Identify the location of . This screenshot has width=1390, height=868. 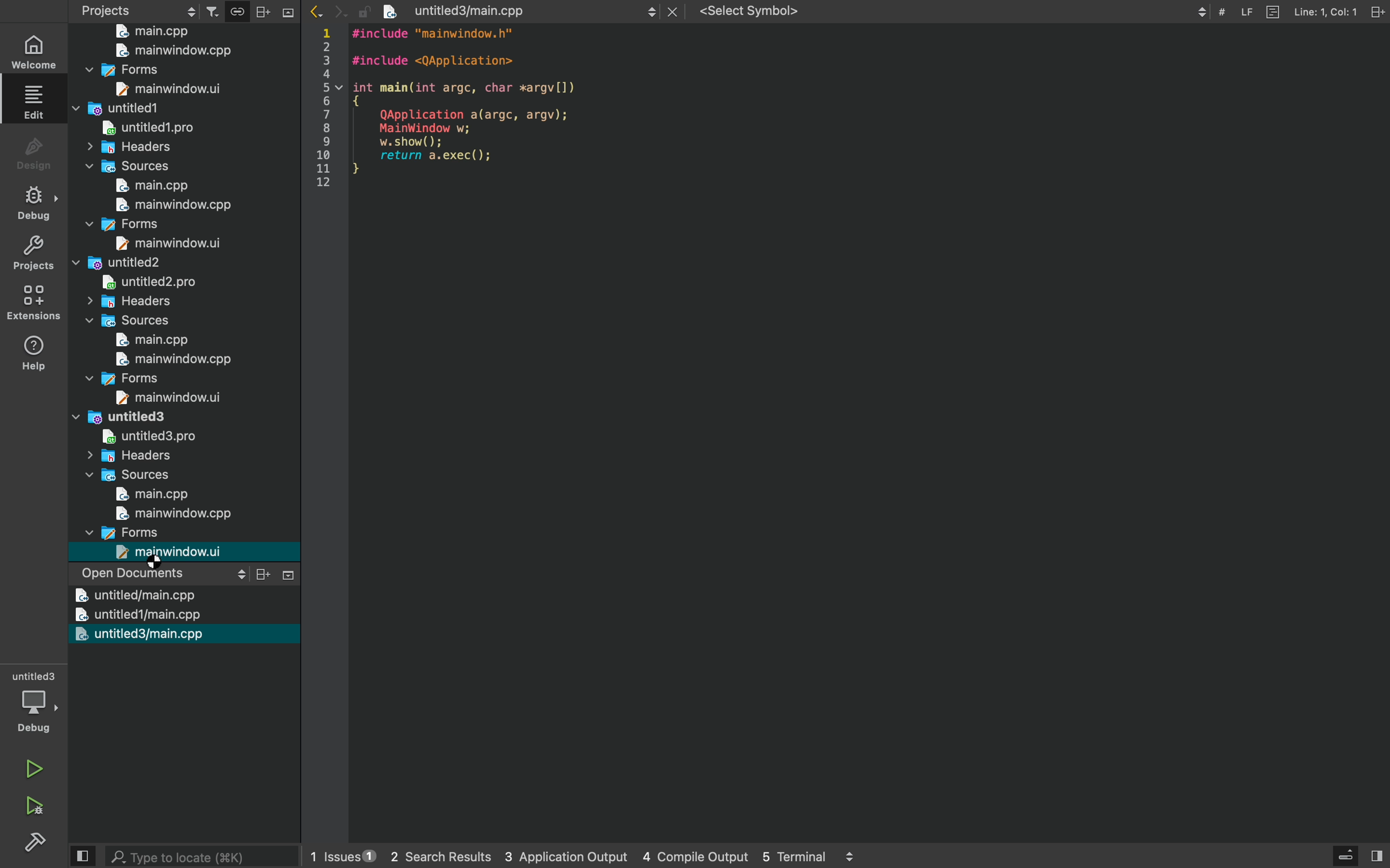
(1360, 855).